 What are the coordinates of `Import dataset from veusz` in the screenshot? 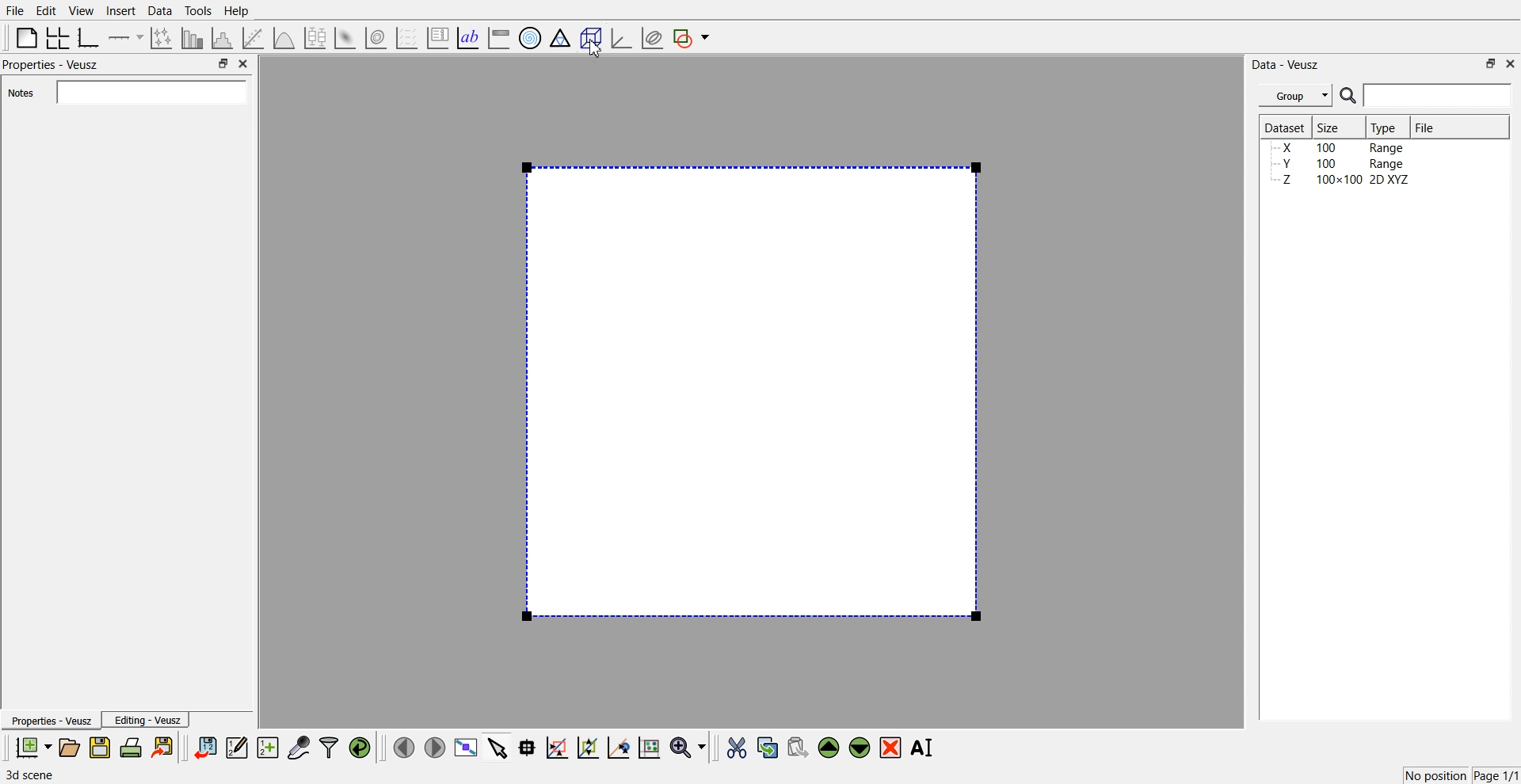 It's located at (205, 747).